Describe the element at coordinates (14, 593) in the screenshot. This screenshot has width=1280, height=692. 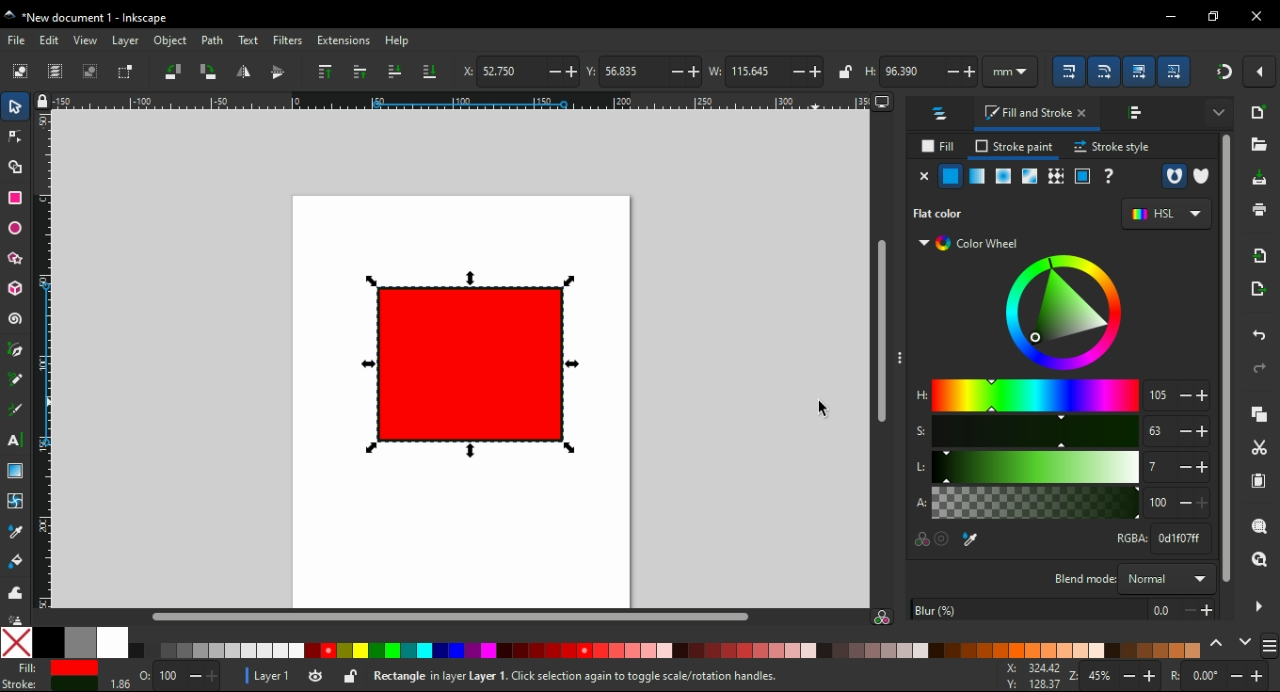
I see `tweak tool` at that location.